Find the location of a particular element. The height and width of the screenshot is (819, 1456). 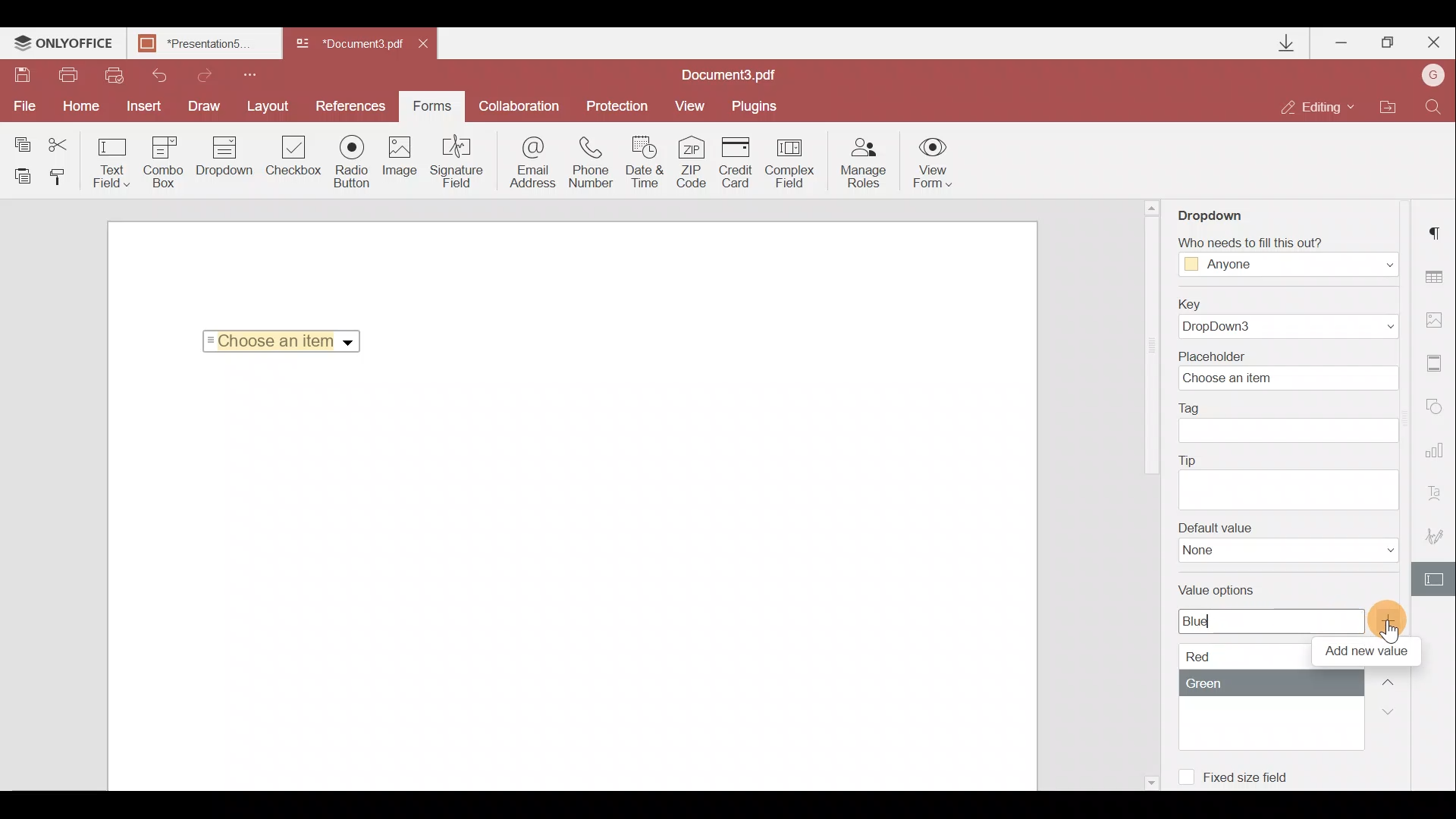

Phone number is located at coordinates (593, 162).